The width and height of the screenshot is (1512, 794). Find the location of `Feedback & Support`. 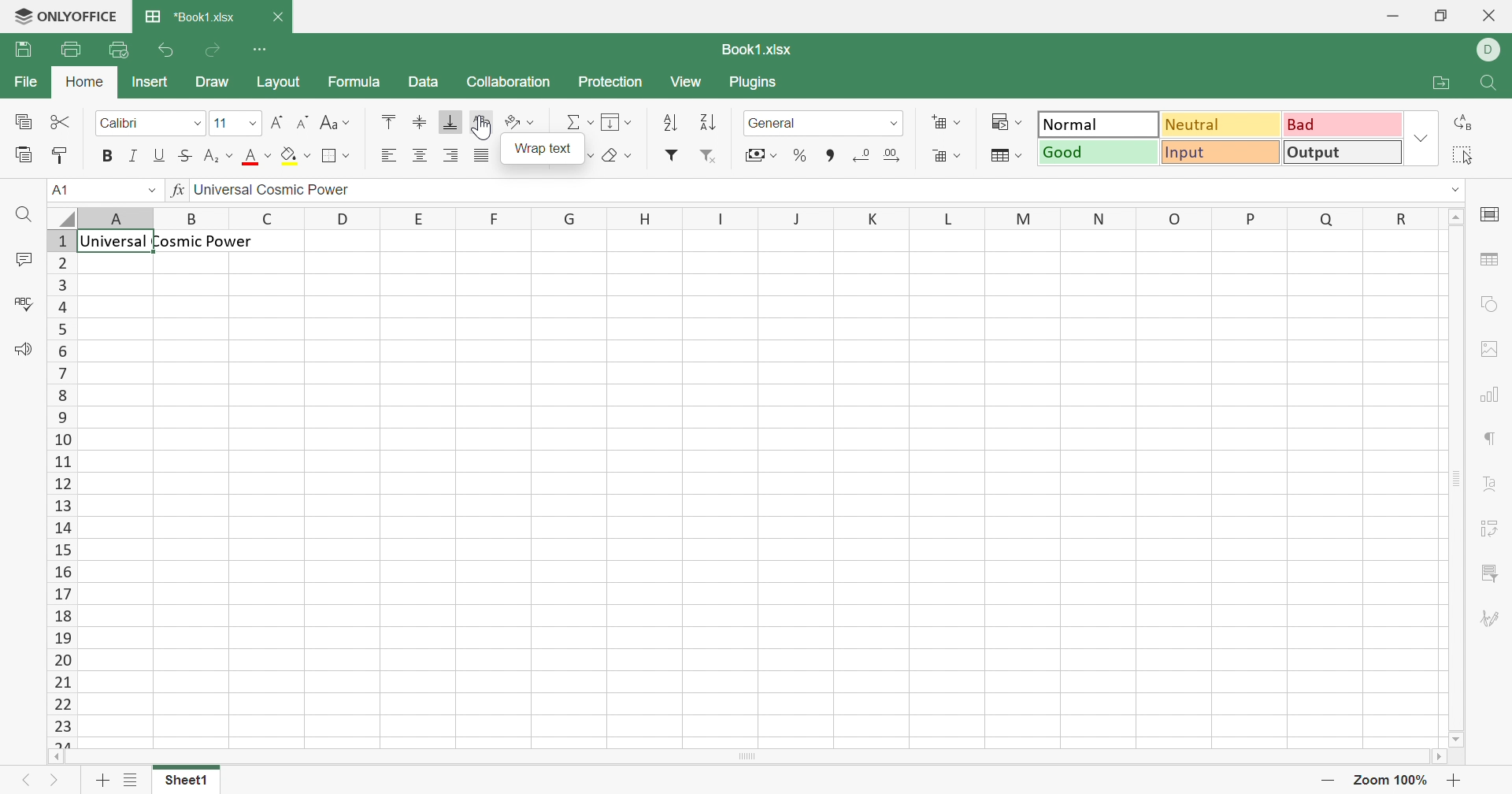

Feedback & Support is located at coordinates (24, 354).